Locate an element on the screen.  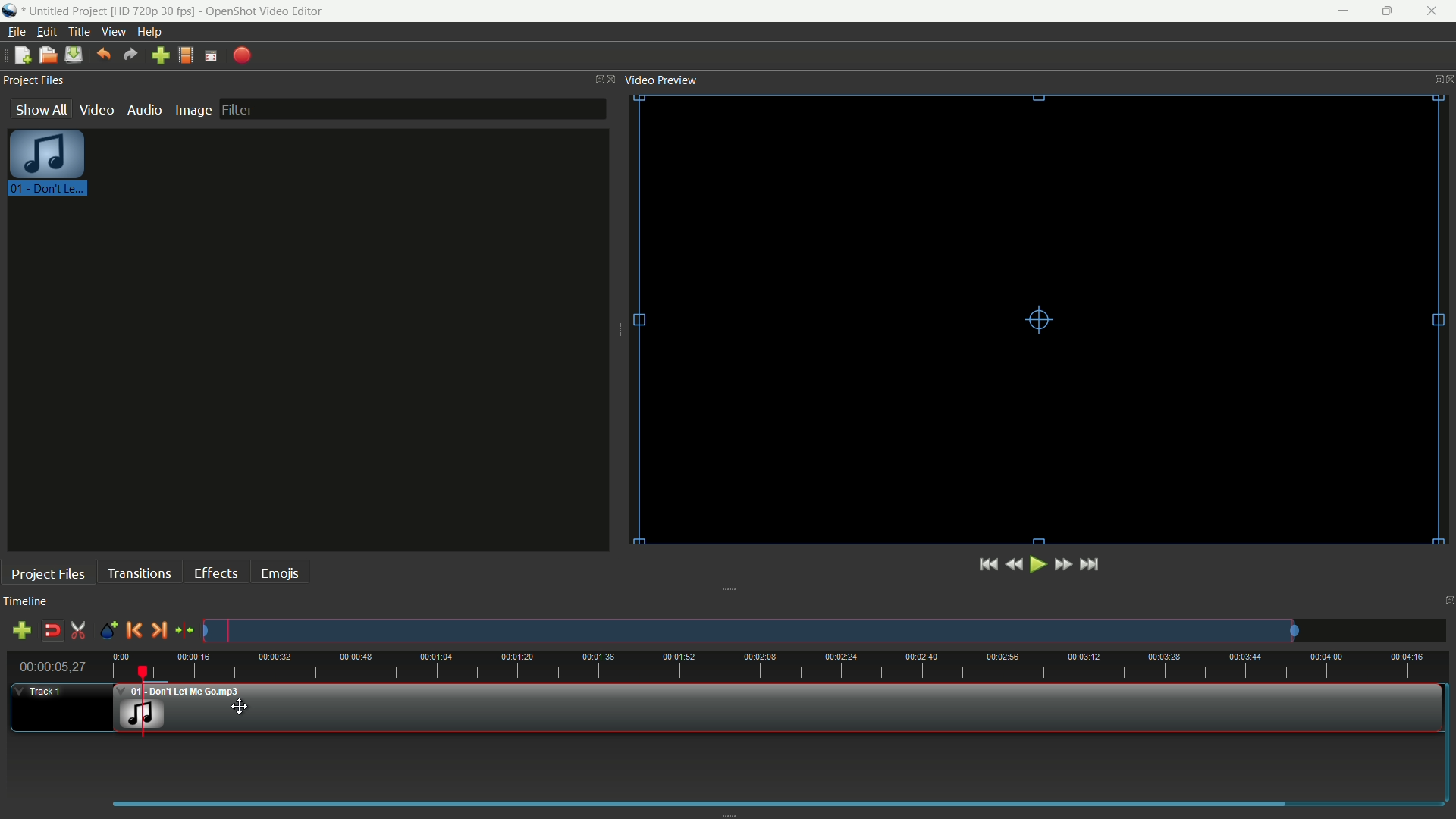
previous marker is located at coordinates (135, 630).